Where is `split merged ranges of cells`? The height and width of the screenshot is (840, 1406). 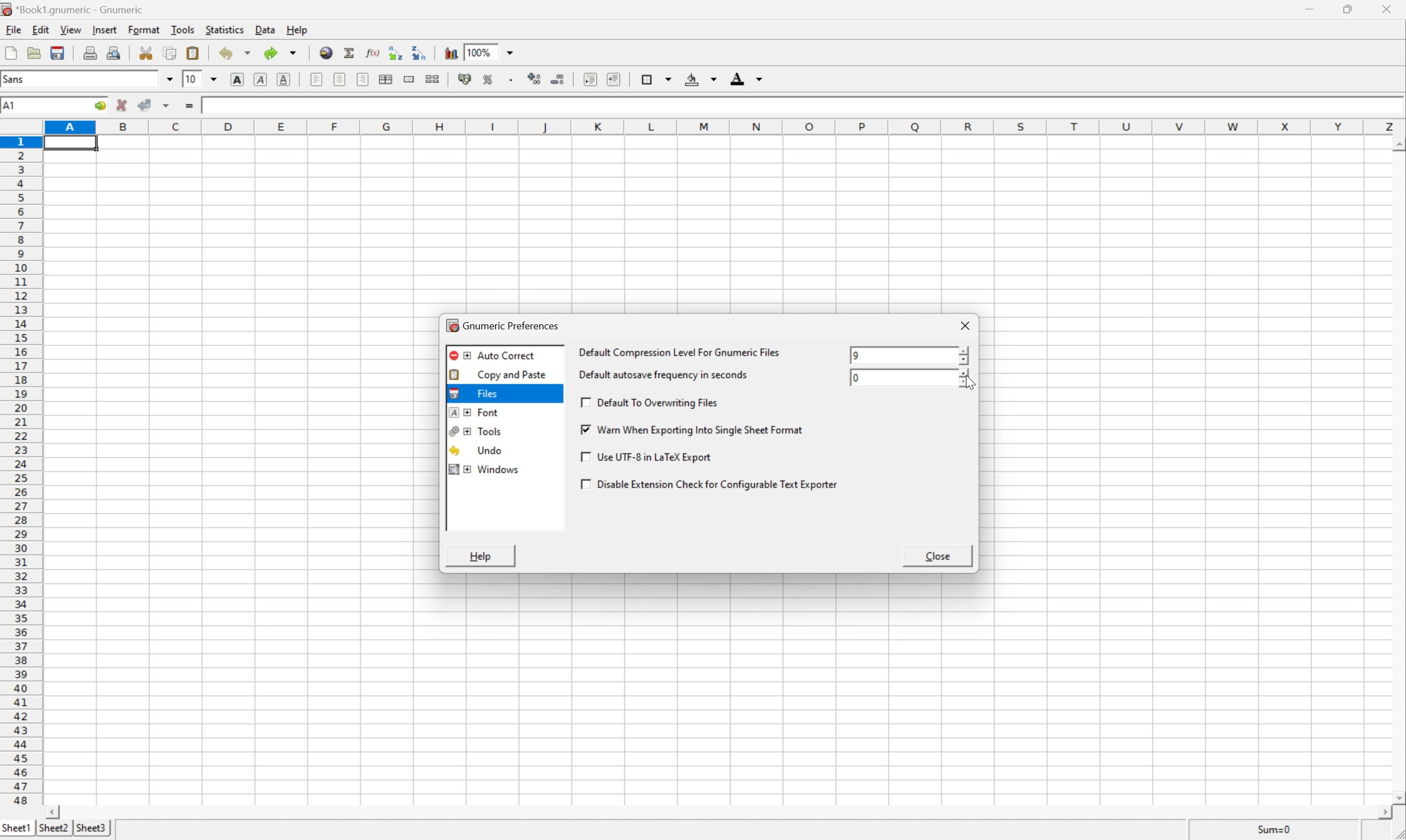
split merged ranges of cells is located at coordinates (433, 80).